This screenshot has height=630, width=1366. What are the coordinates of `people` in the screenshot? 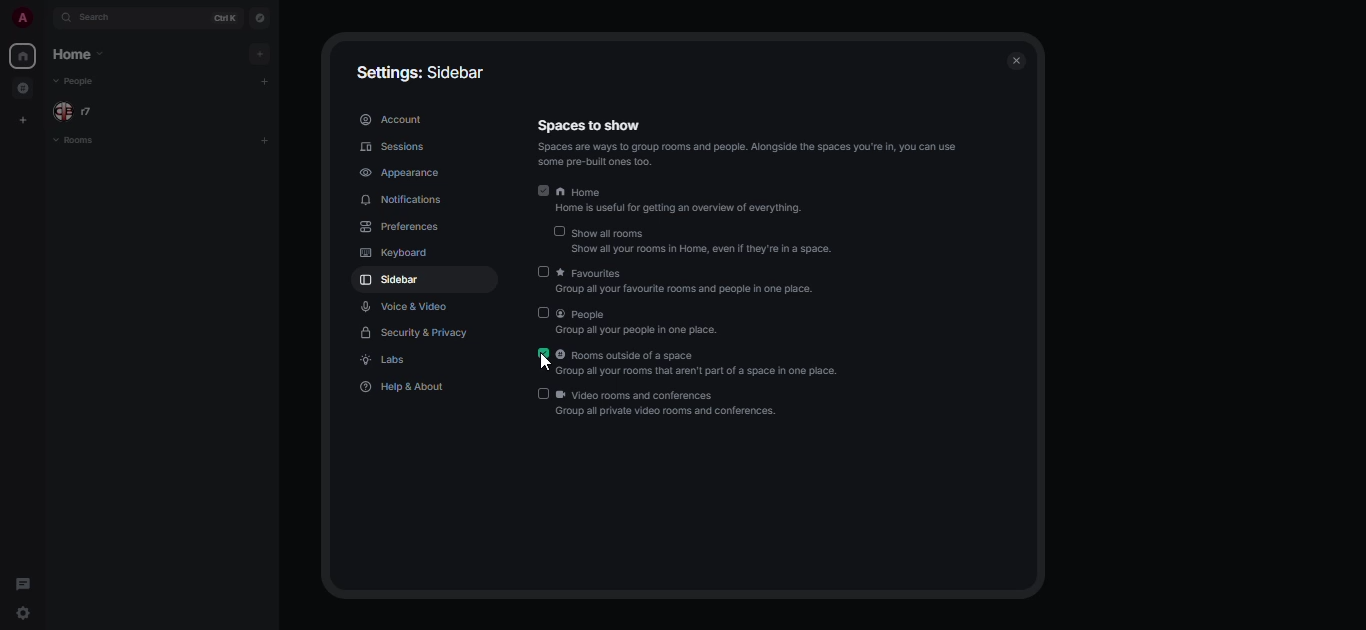 It's located at (79, 111).